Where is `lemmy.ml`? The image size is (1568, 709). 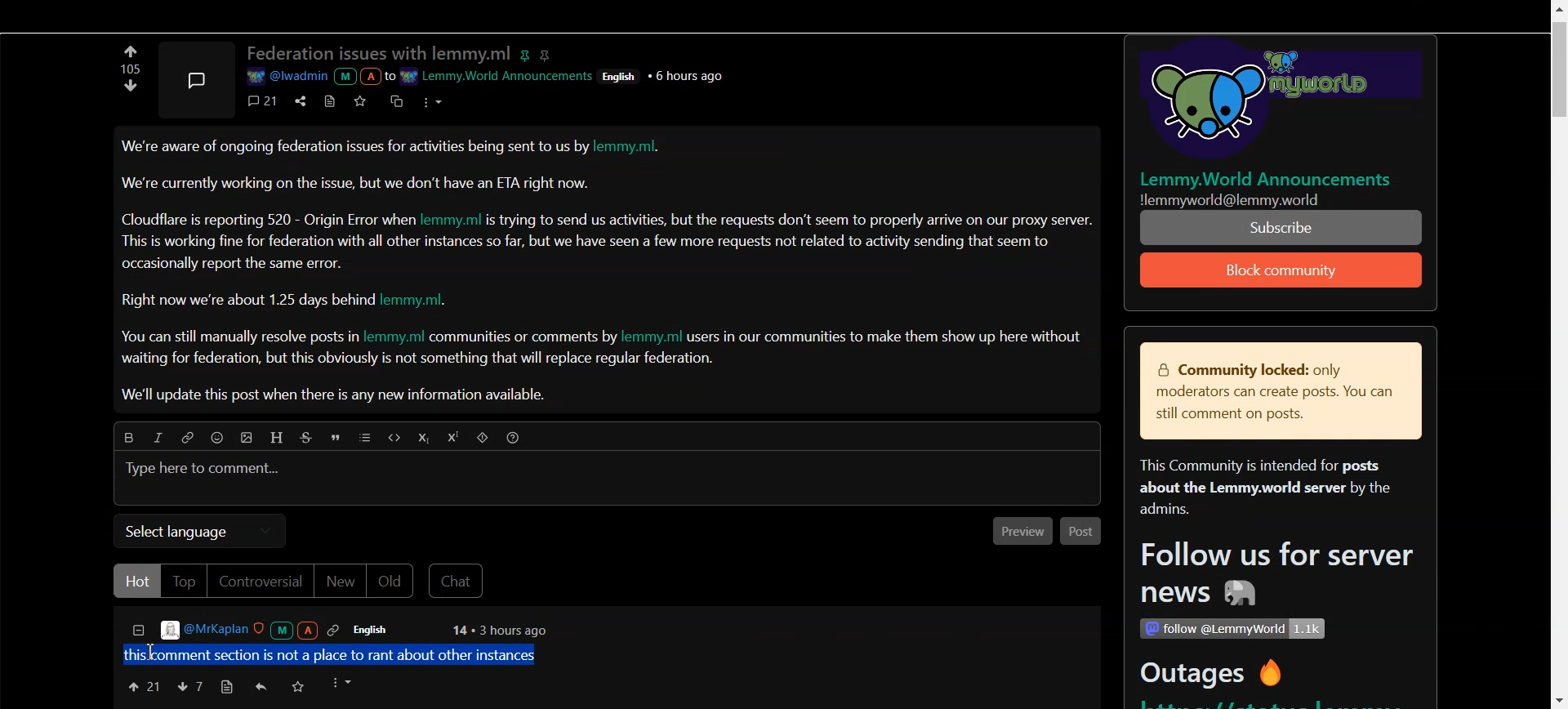 lemmy.ml is located at coordinates (653, 337).